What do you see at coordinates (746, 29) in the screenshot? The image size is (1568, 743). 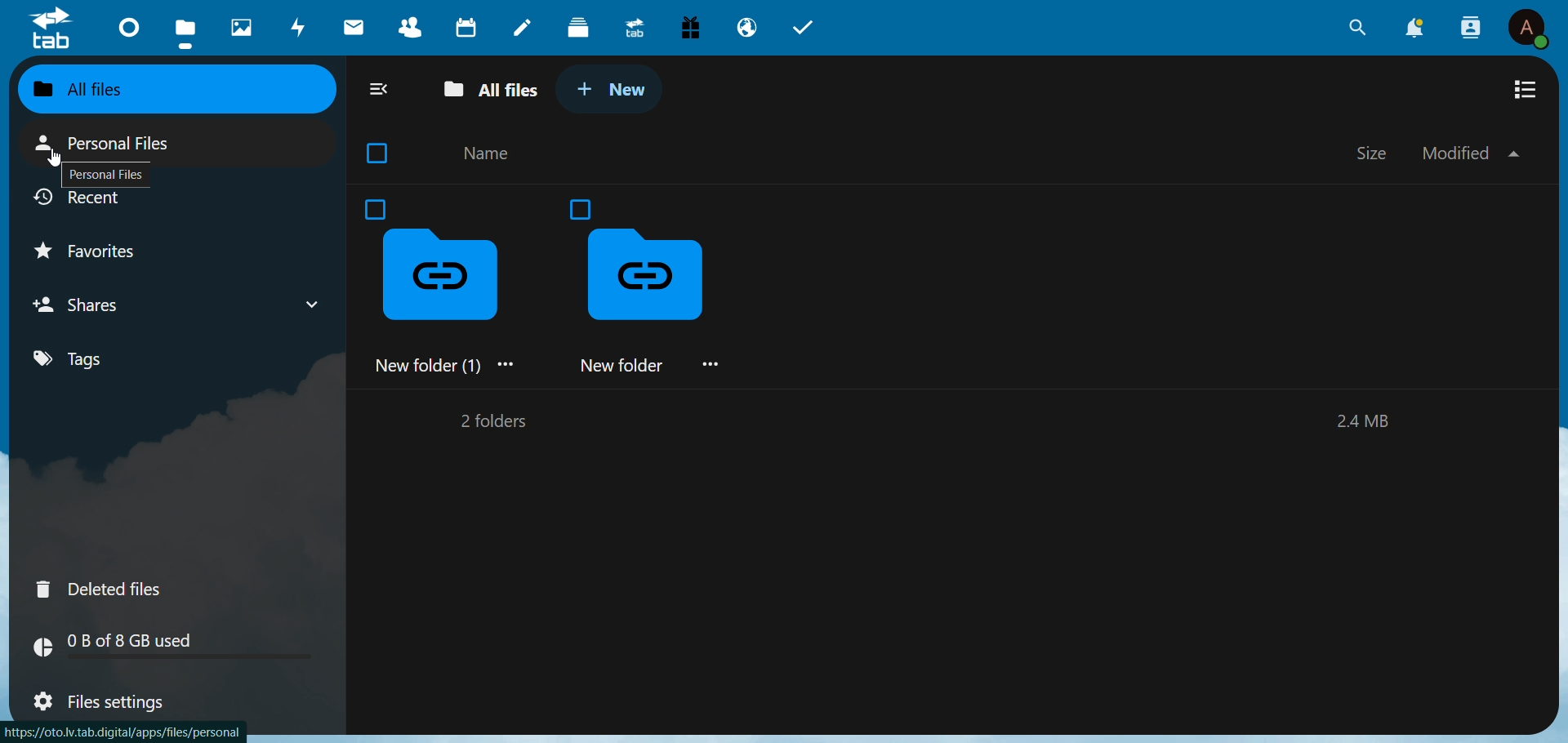 I see `email` at bounding box center [746, 29].